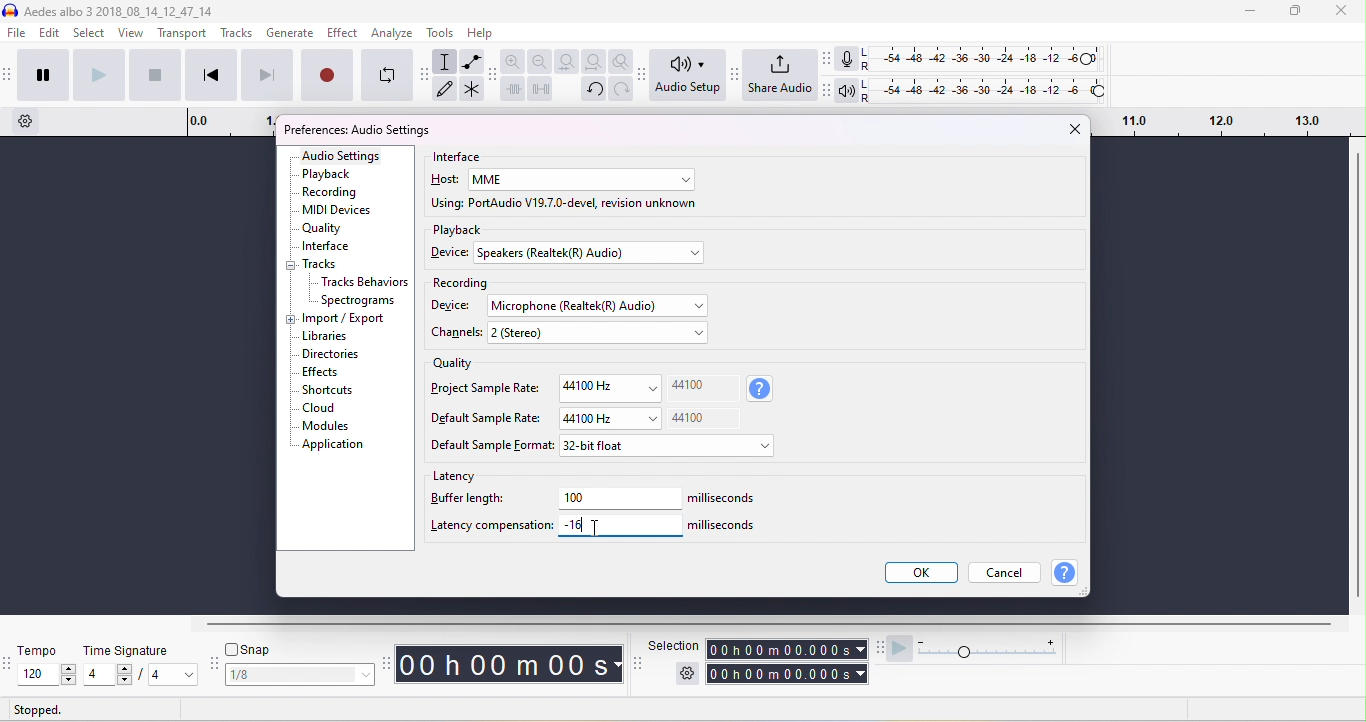 Image resolution: width=1366 pixels, height=722 pixels. What do you see at coordinates (689, 384) in the screenshot?
I see `44100` at bounding box center [689, 384].